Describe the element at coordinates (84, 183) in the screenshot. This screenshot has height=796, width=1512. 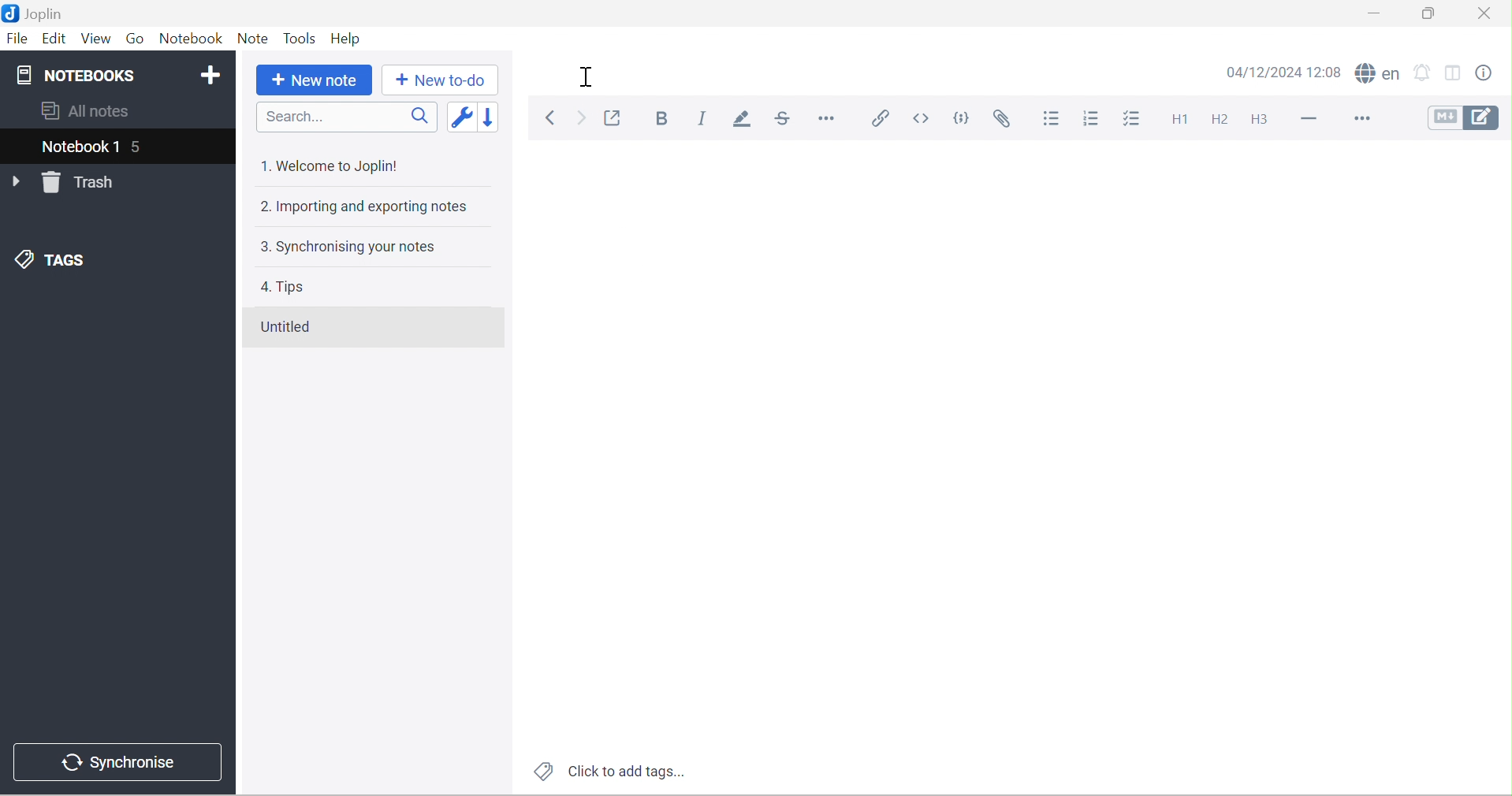
I see `Trash` at that location.